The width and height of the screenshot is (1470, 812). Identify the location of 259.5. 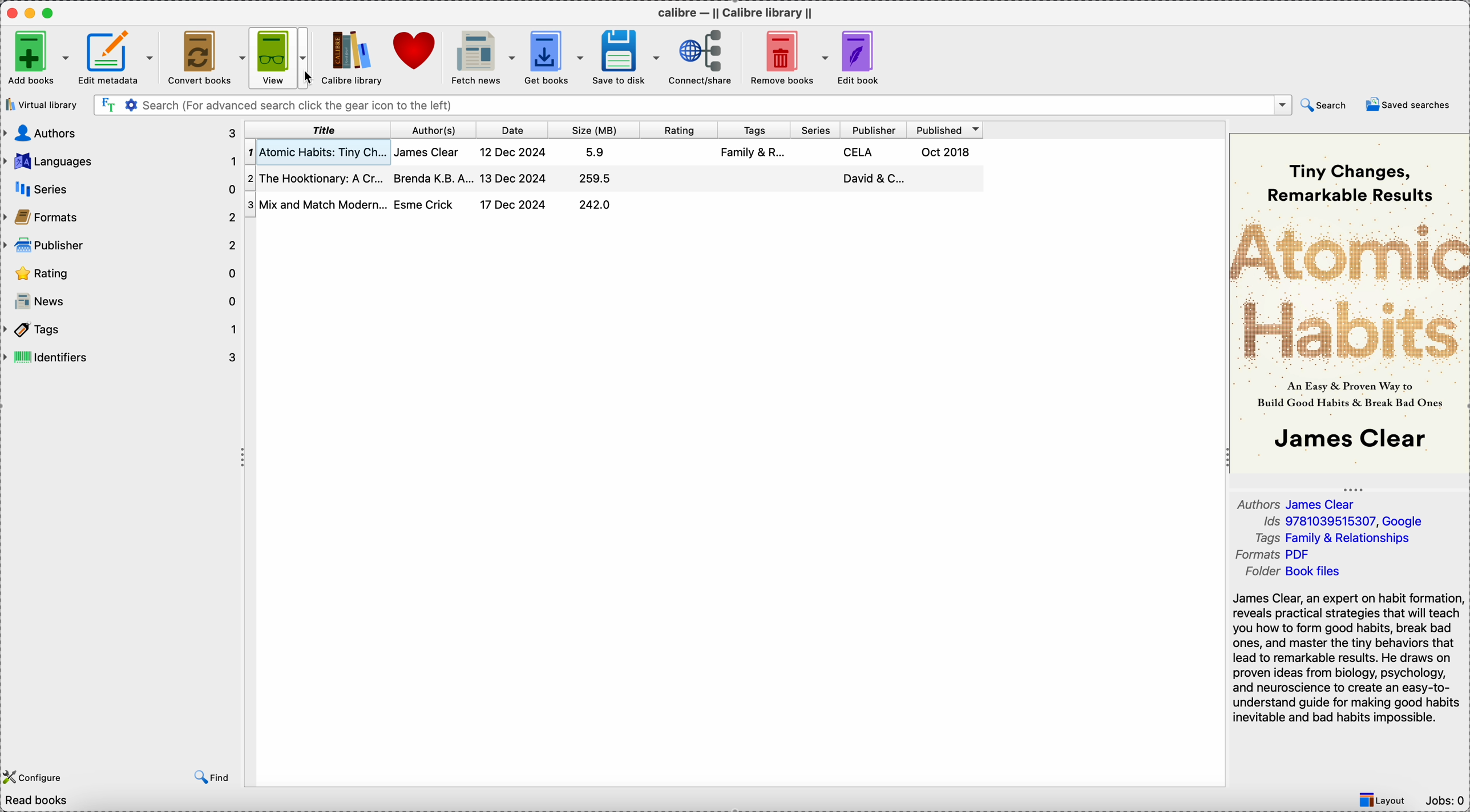
(594, 178).